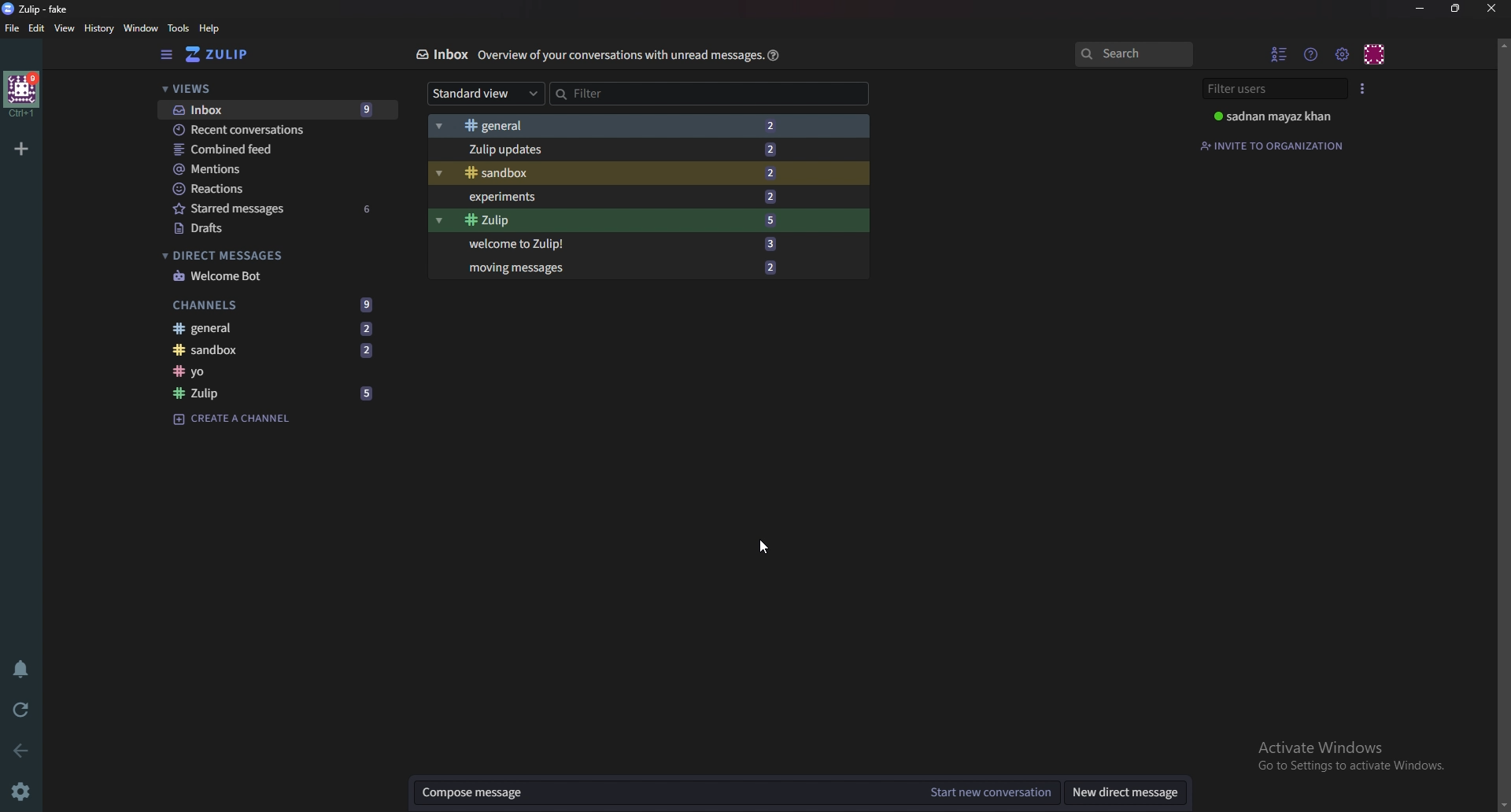 This screenshot has width=1511, height=812. What do you see at coordinates (20, 667) in the screenshot?
I see `Enable do not disturb` at bounding box center [20, 667].